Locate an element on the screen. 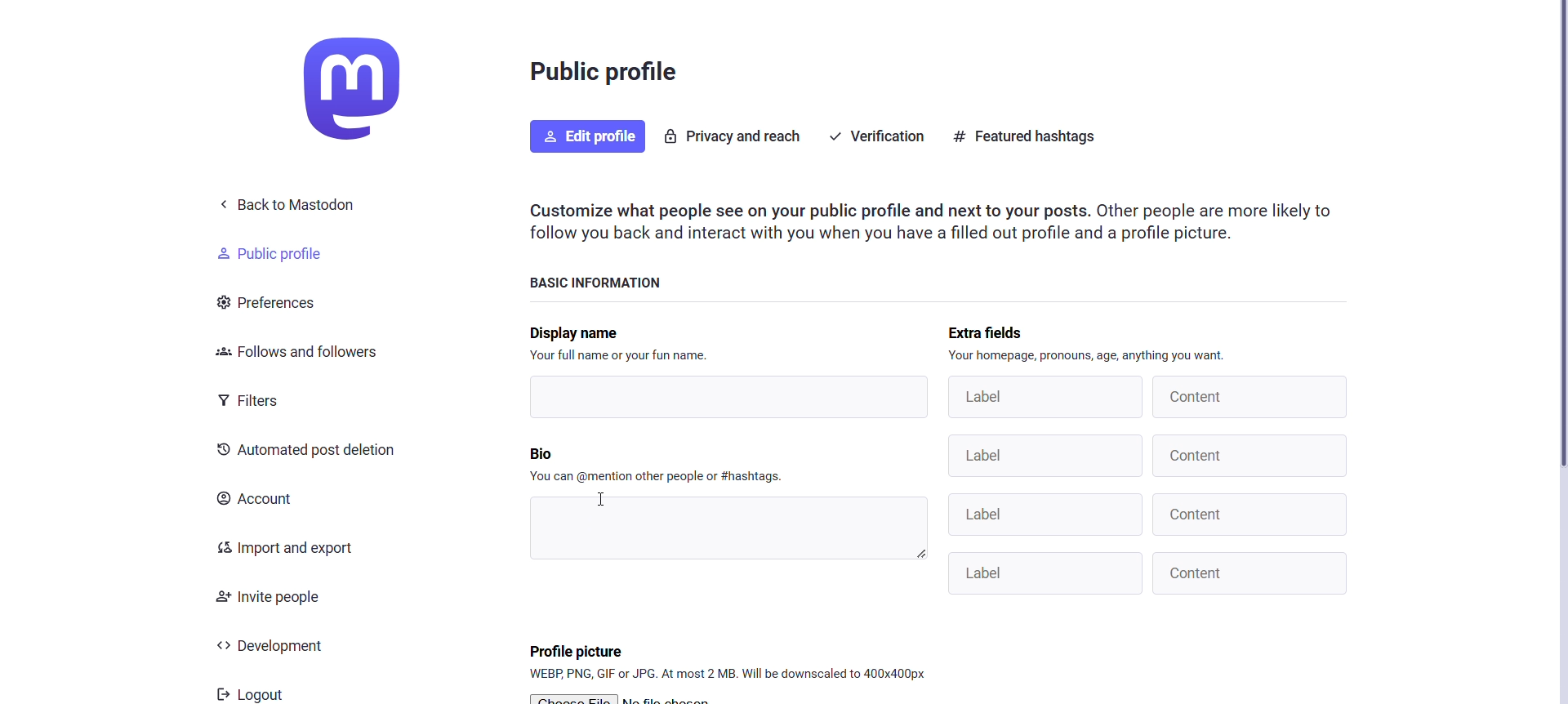 This screenshot has width=1568, height=704. Customize what people see on your public profile and next to your posts. Other people are more likely to
follow you back and interact with you when you have a filled out profile and a profile picture. is located at coordinates (938, 221).